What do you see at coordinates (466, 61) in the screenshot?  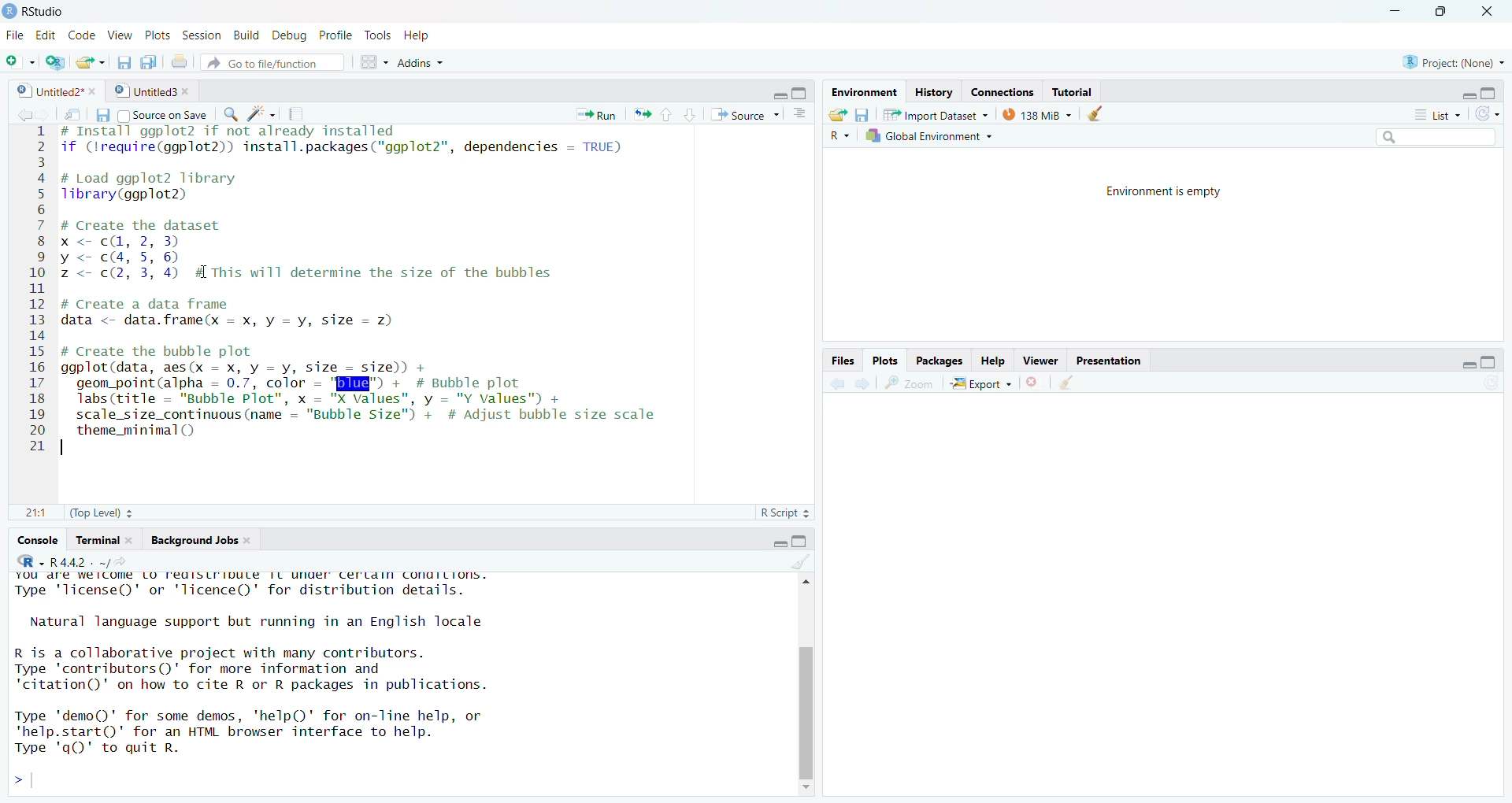 I see `Addins ` at bounding box center [466, 61].